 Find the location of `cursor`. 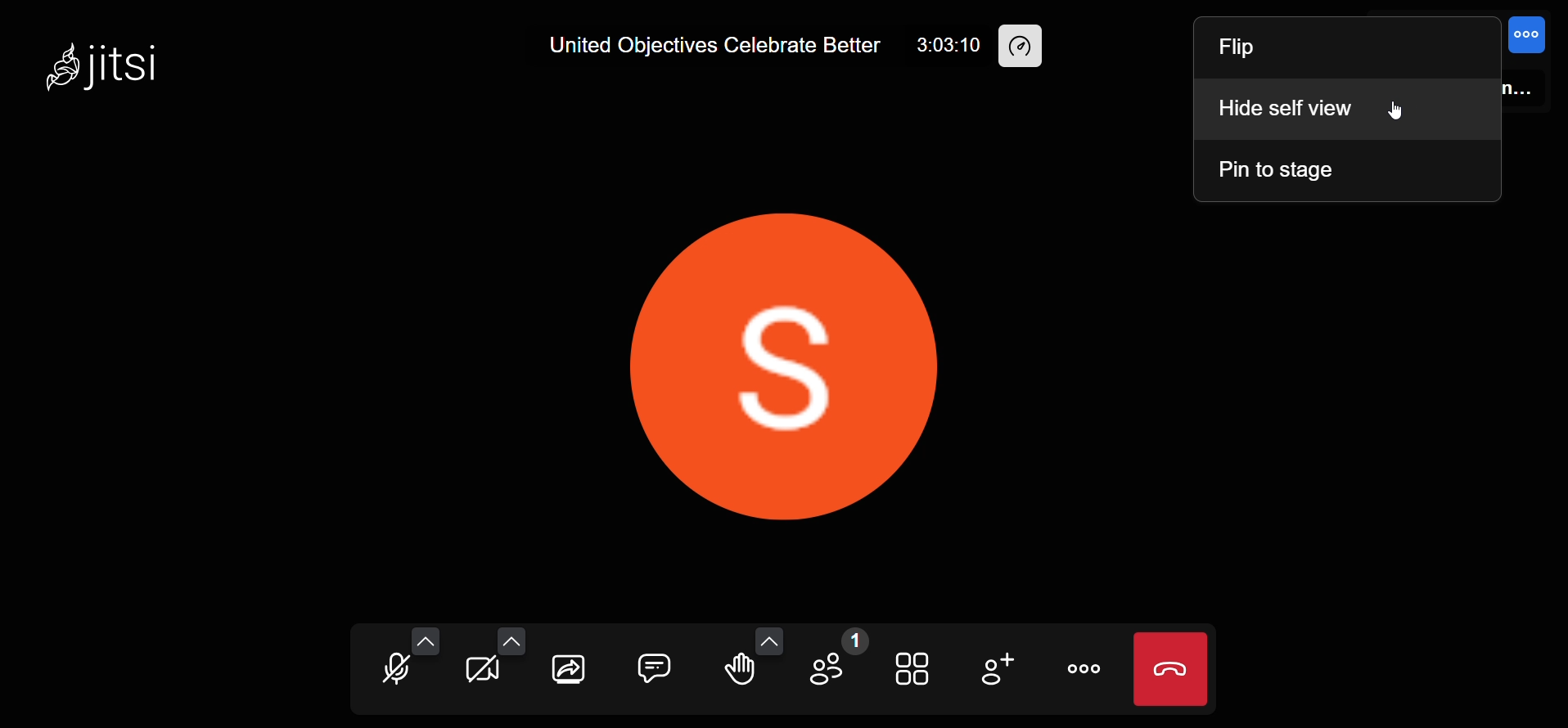

cursor is located at coordinates (1394, 109).